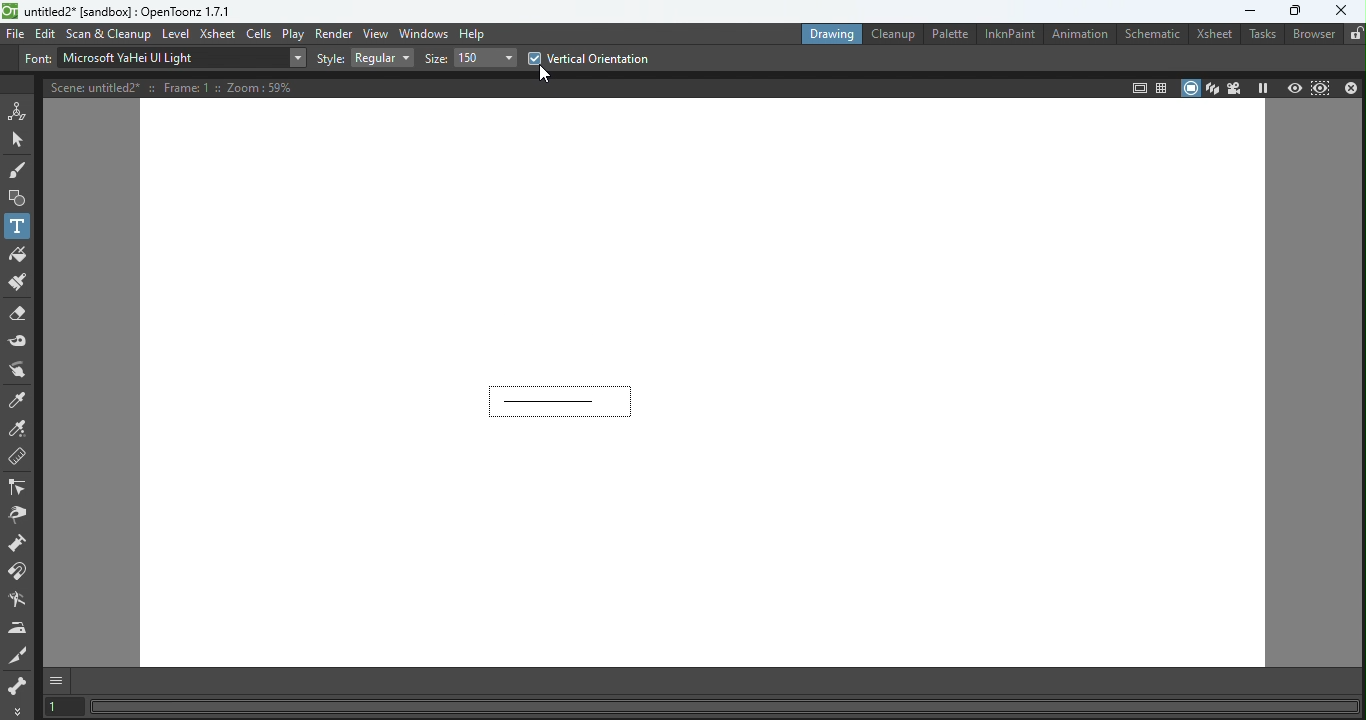  I want to click on Cleanup, so click(895, 34).